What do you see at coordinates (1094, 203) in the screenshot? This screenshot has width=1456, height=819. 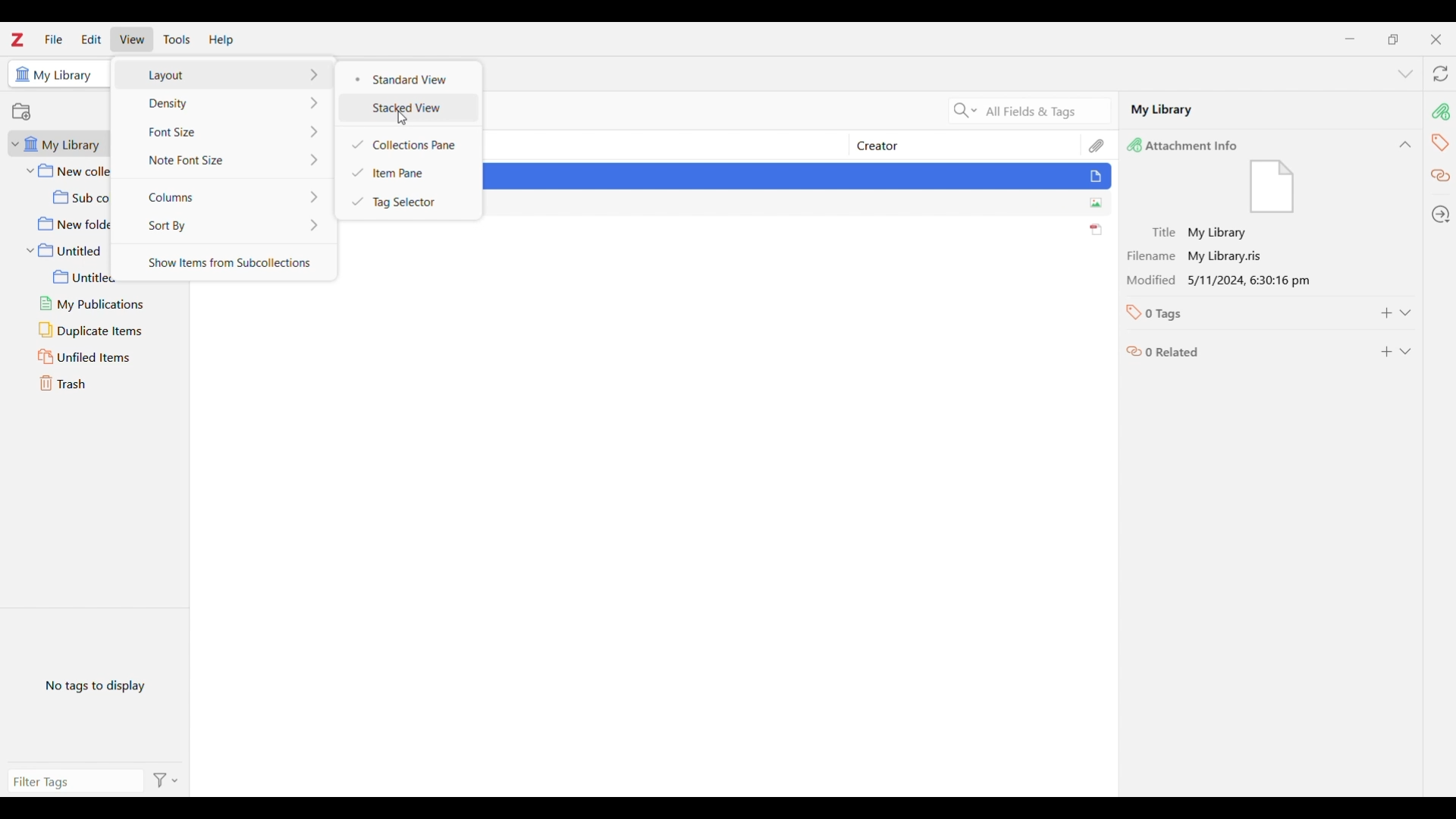 I see `image icon` at bounding box center [1094, 203].